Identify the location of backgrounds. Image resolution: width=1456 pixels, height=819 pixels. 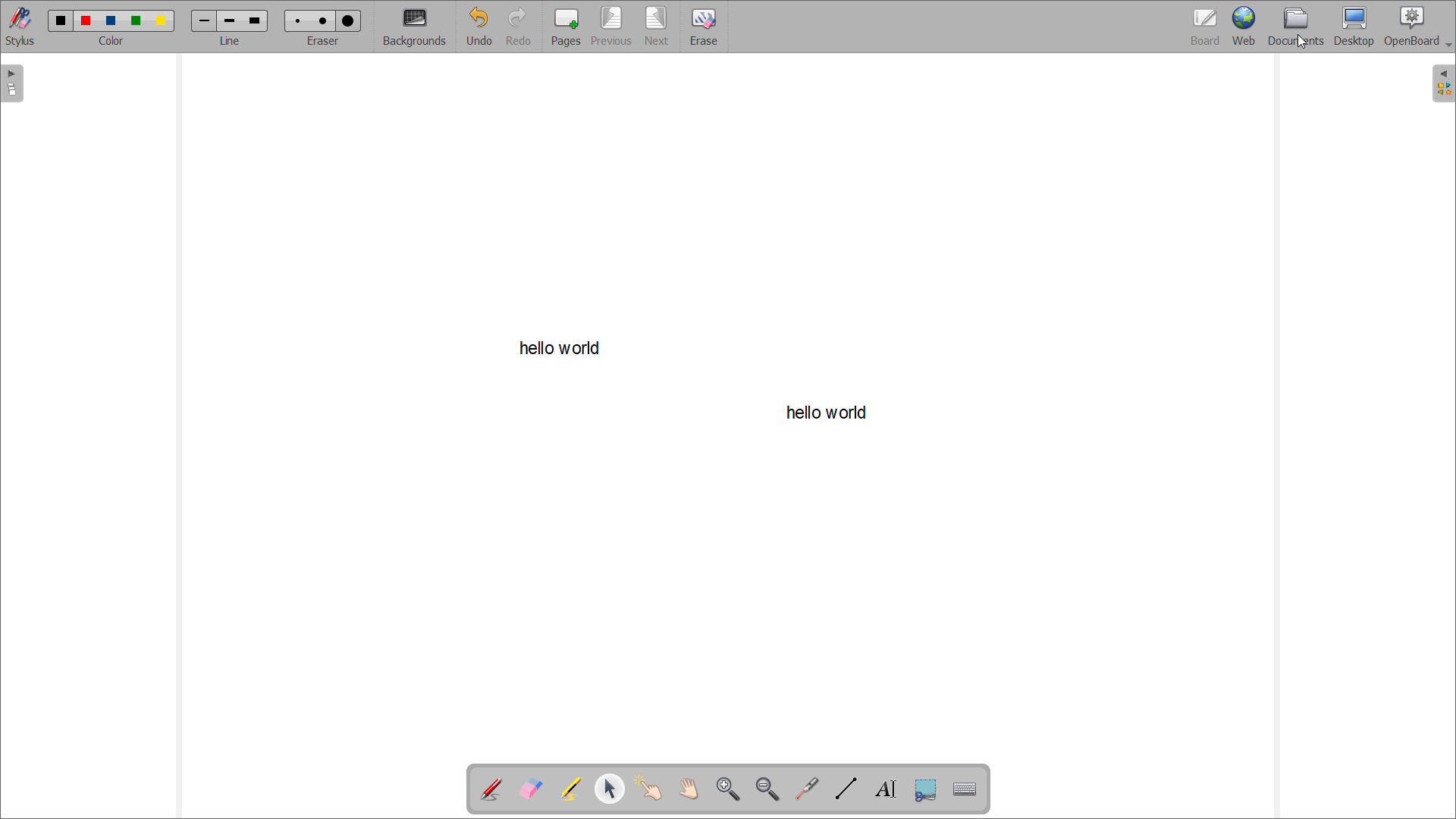
(415, 27).